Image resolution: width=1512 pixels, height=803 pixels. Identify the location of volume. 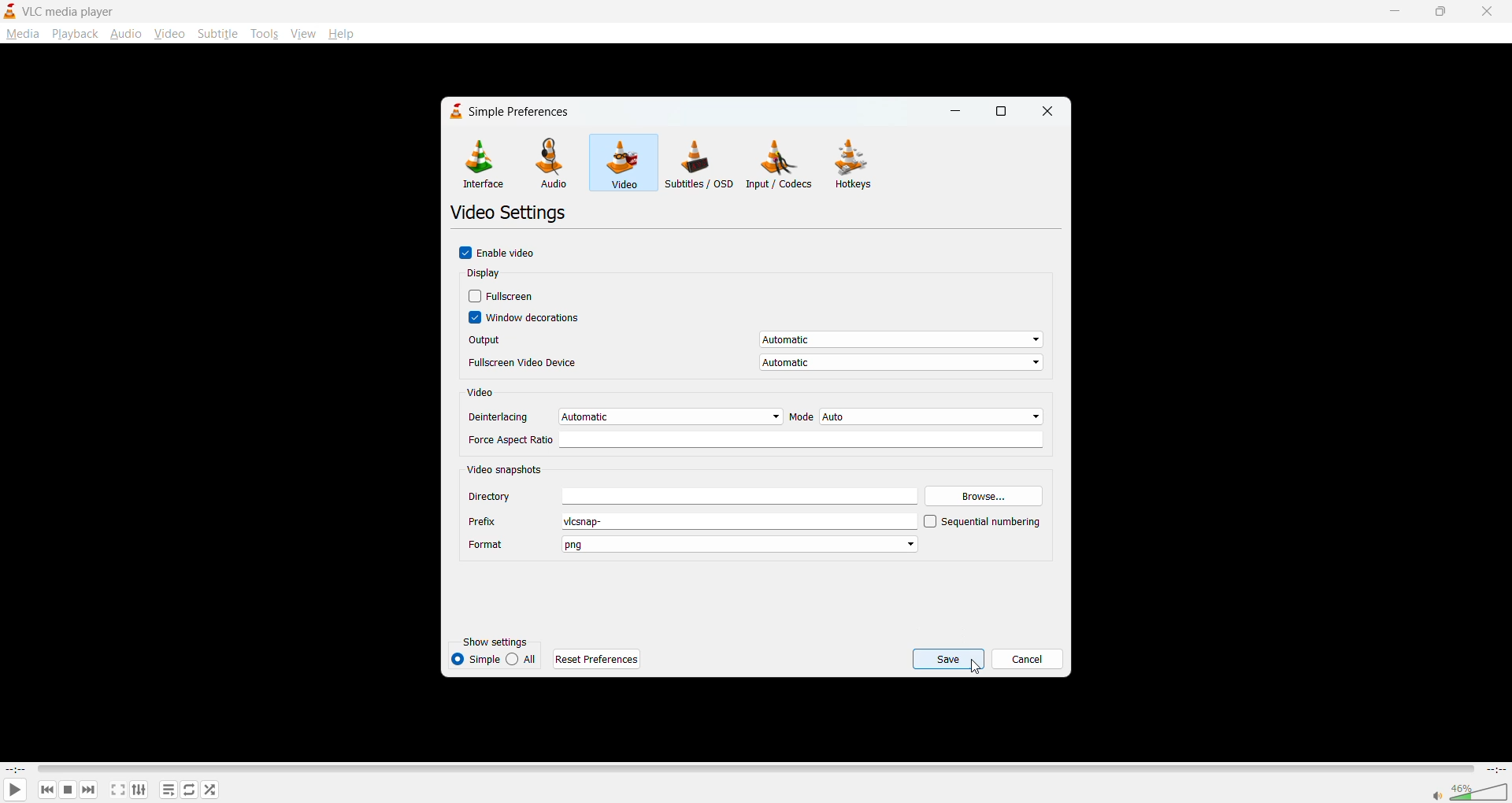
(1469, 790).